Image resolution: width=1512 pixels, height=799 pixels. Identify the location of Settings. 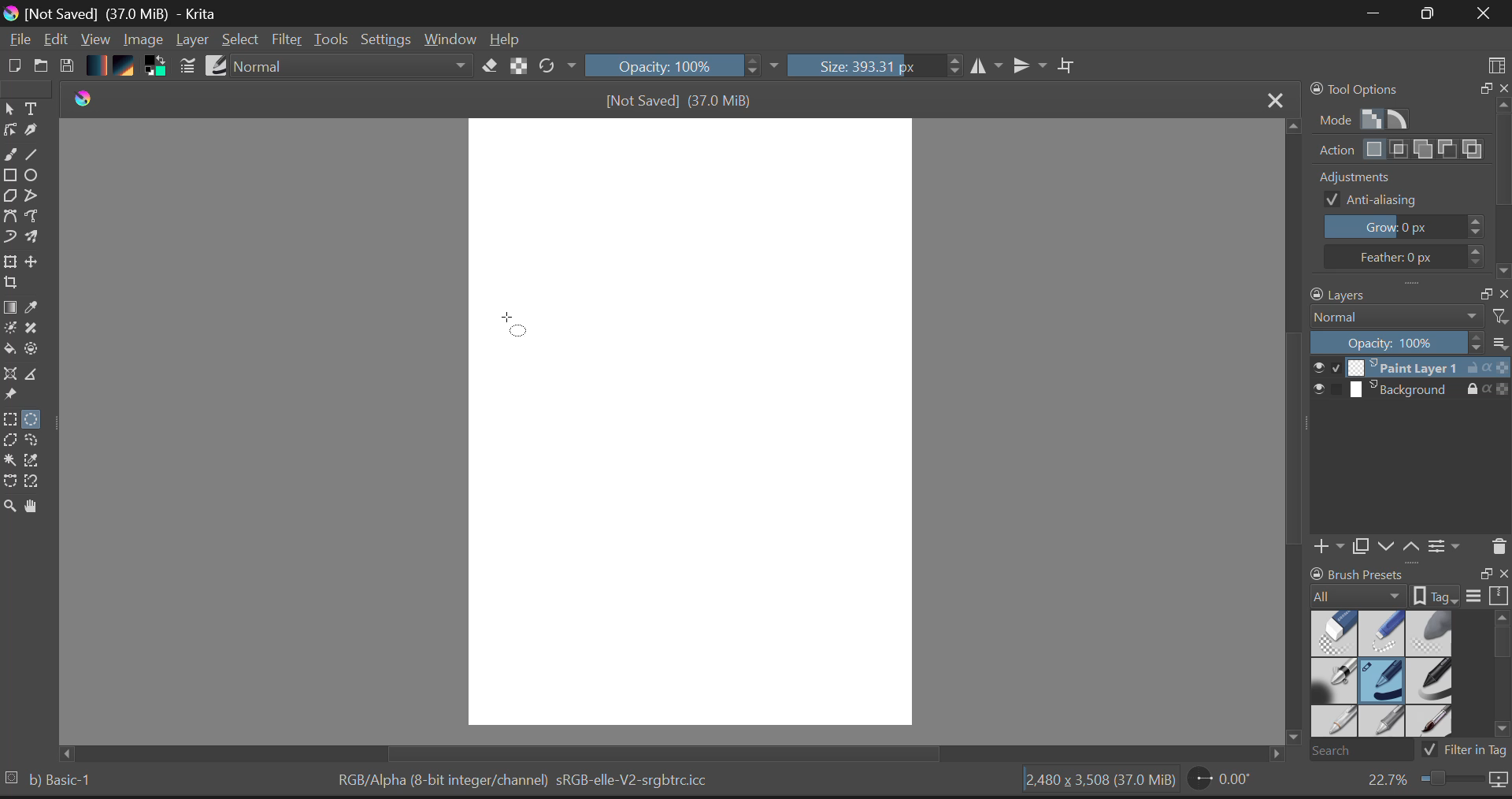
(387, 40).